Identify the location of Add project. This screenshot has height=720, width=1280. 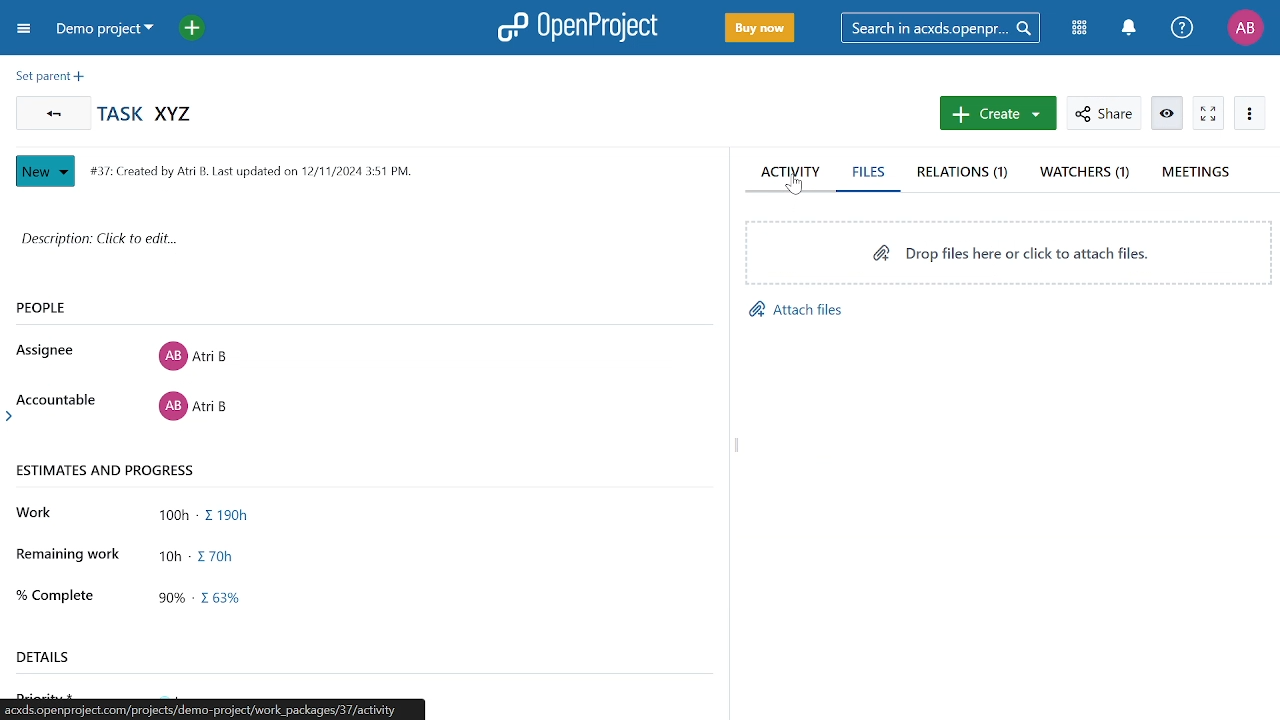
(196, 28).